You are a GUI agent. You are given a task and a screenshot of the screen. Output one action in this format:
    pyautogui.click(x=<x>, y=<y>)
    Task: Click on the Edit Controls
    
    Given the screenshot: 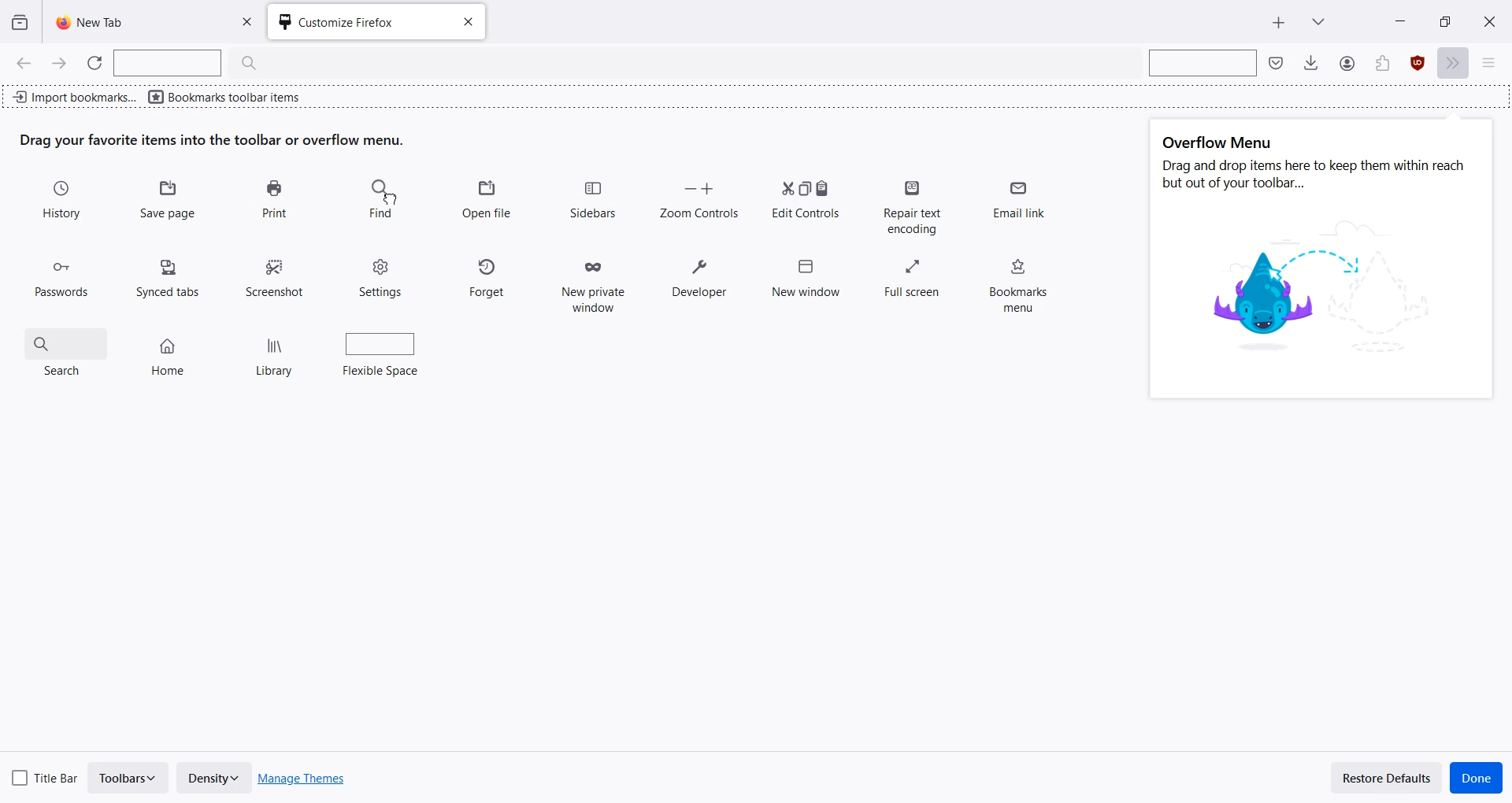 What is the action you would take?
    pyautogui.click(x=805, y=198)
    